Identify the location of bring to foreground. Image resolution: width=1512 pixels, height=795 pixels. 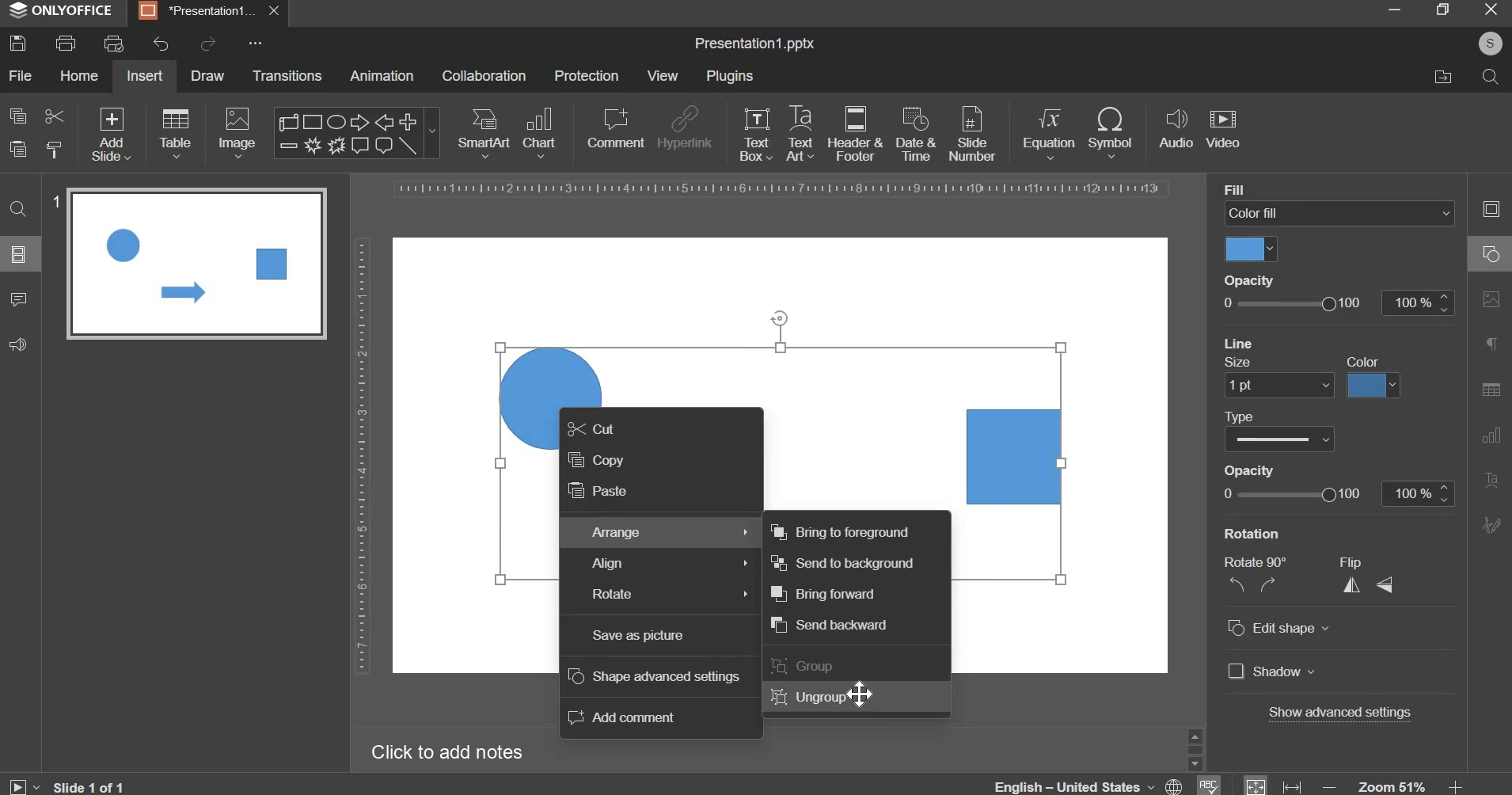
(838, 531).